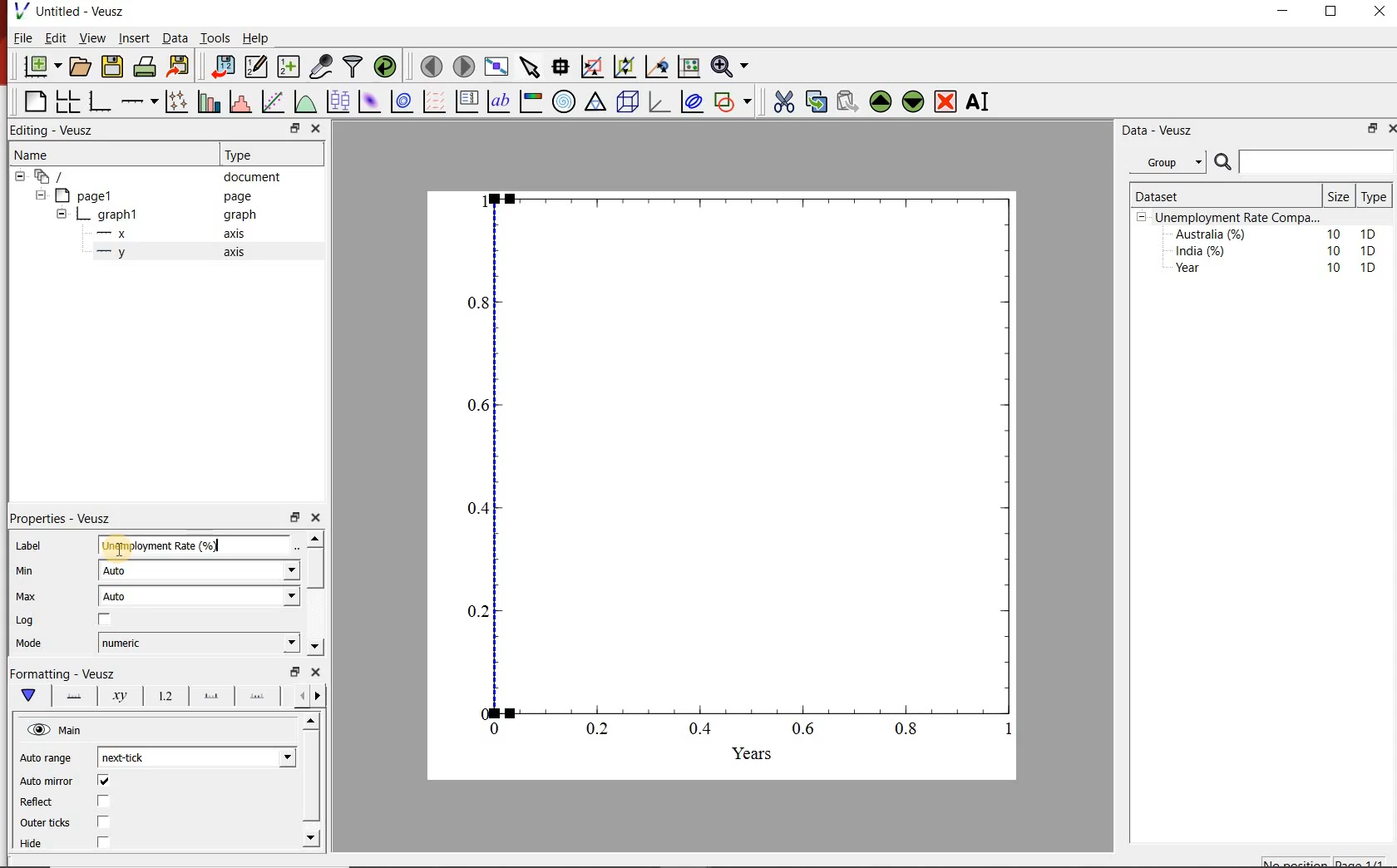 This screenshot has width=1397, height=868. Describe the element at coordinates (593, 67) in the screenshot. I see `click or draw rectangle on the zoom graph axes` at that location.